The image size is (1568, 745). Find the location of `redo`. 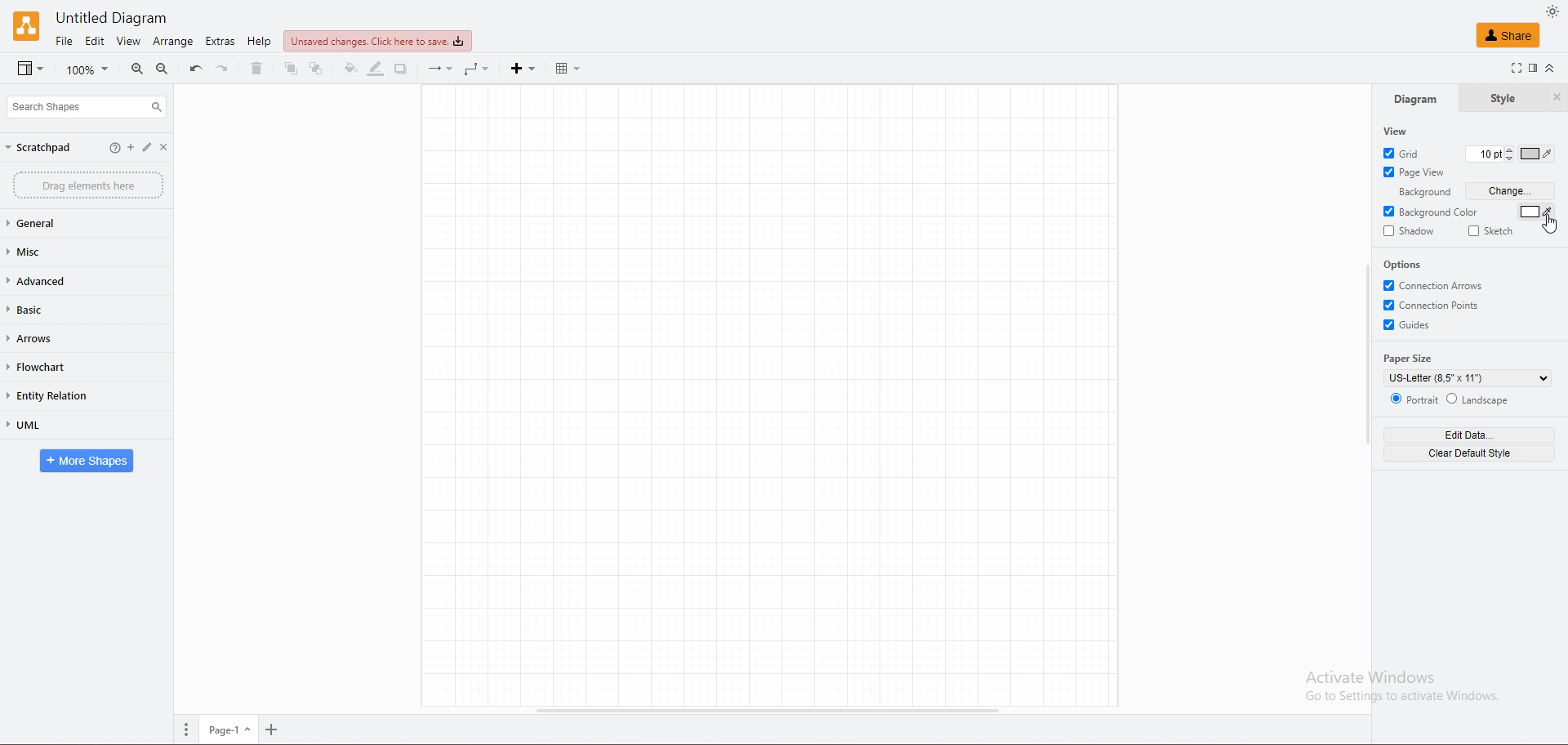

redo is located at coordinates (224, 67).